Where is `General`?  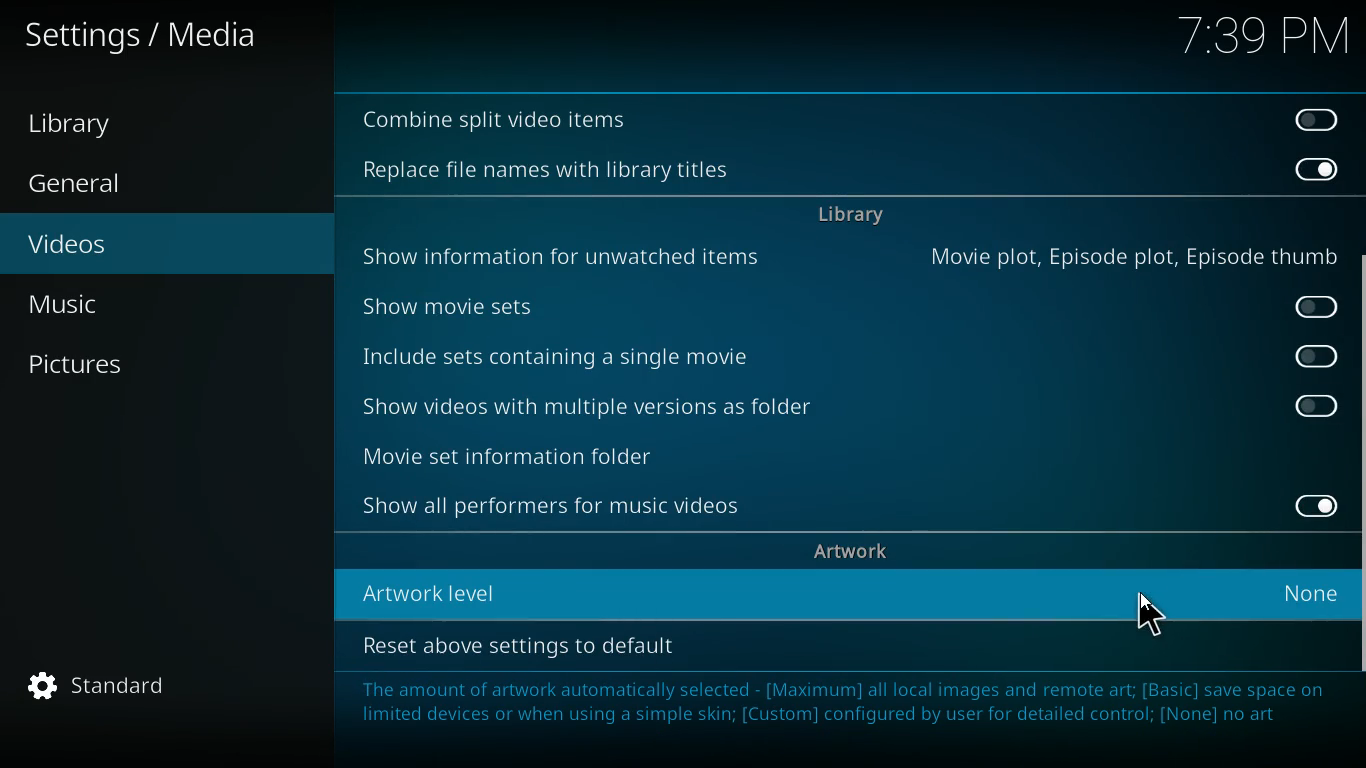
General is located at coordinates (98, 185).